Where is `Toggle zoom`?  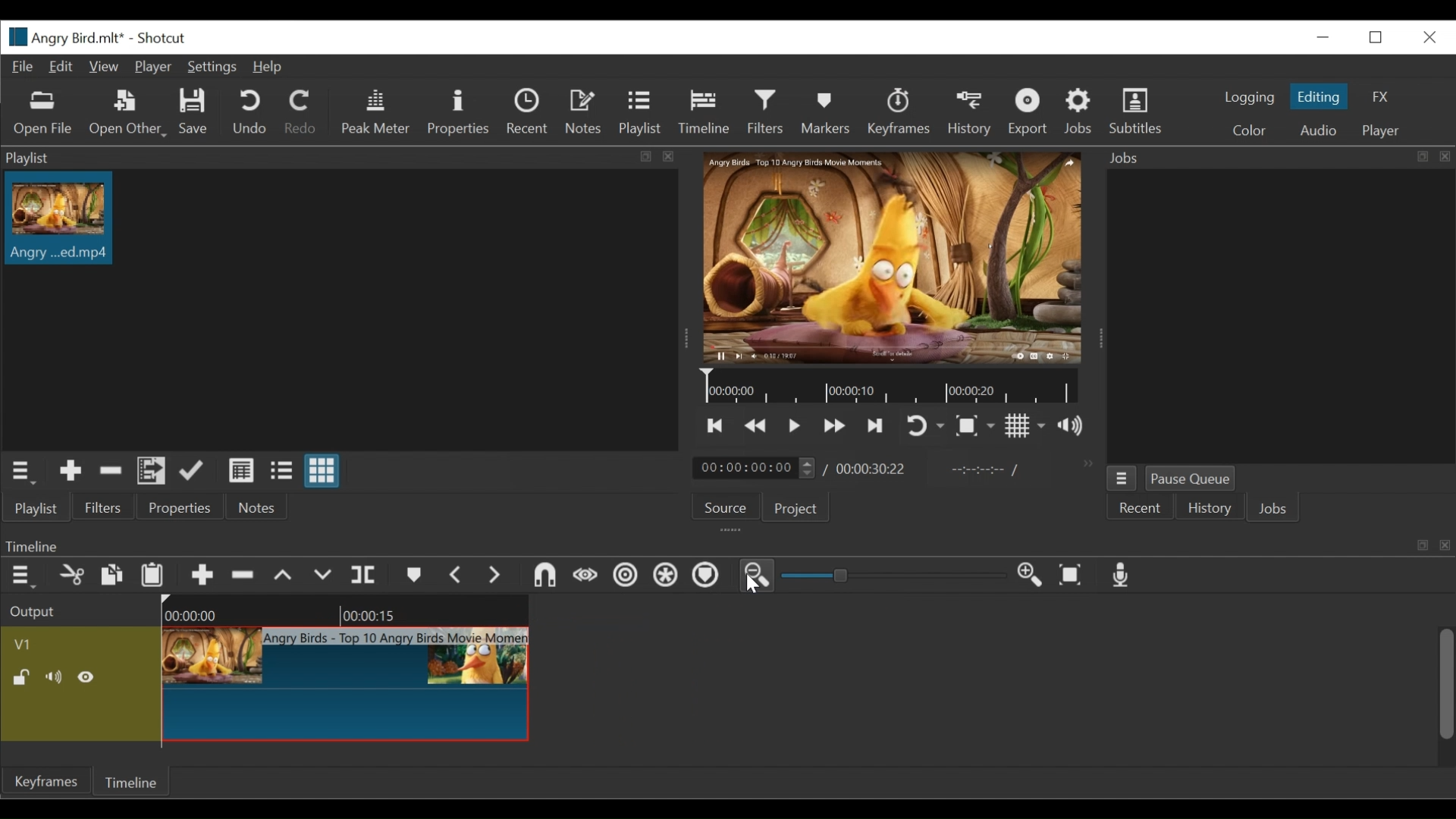 Toggle zoom is located at coordinates (977, 428).